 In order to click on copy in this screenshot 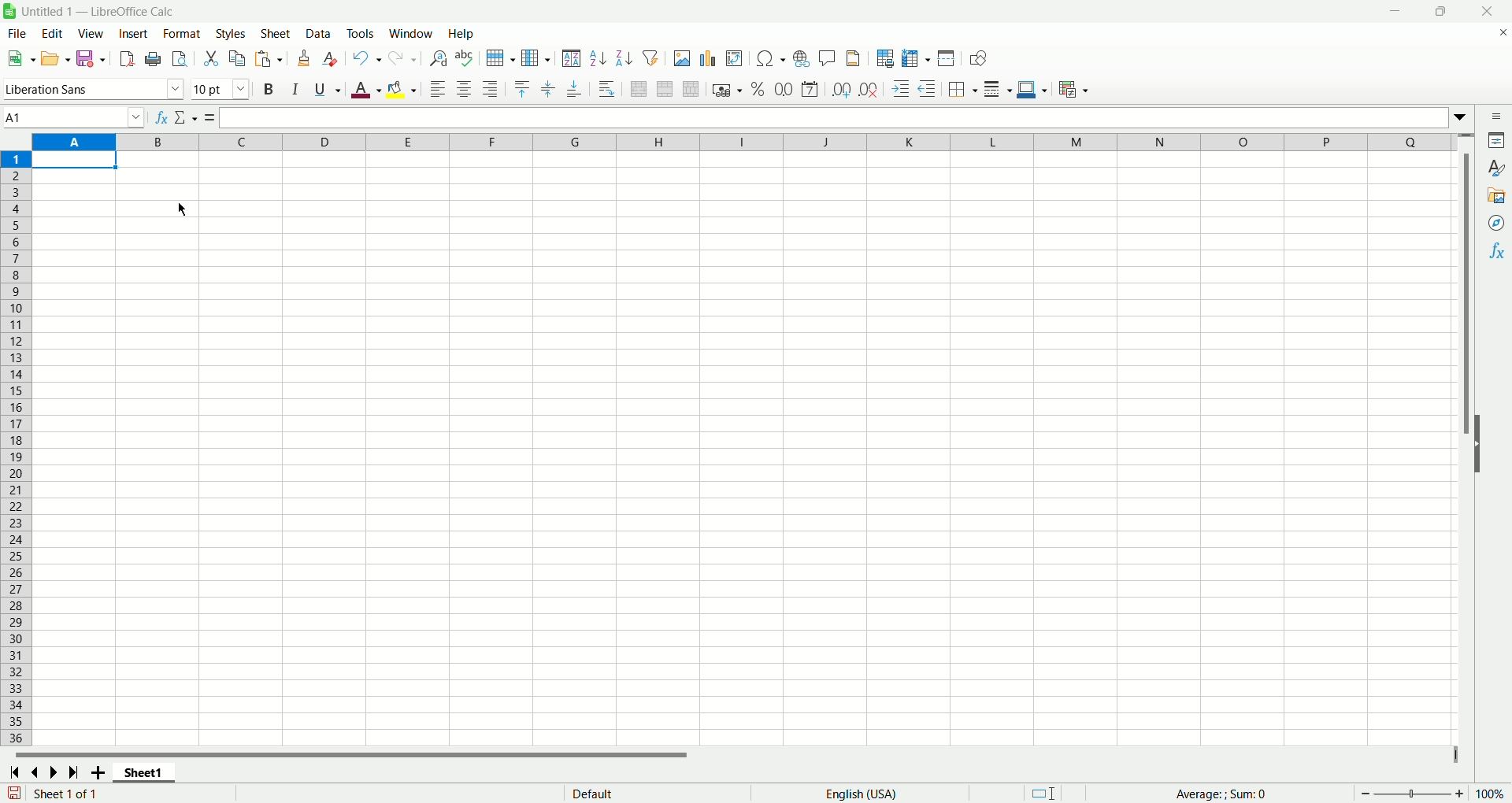, I will do `click(239, 58)`.